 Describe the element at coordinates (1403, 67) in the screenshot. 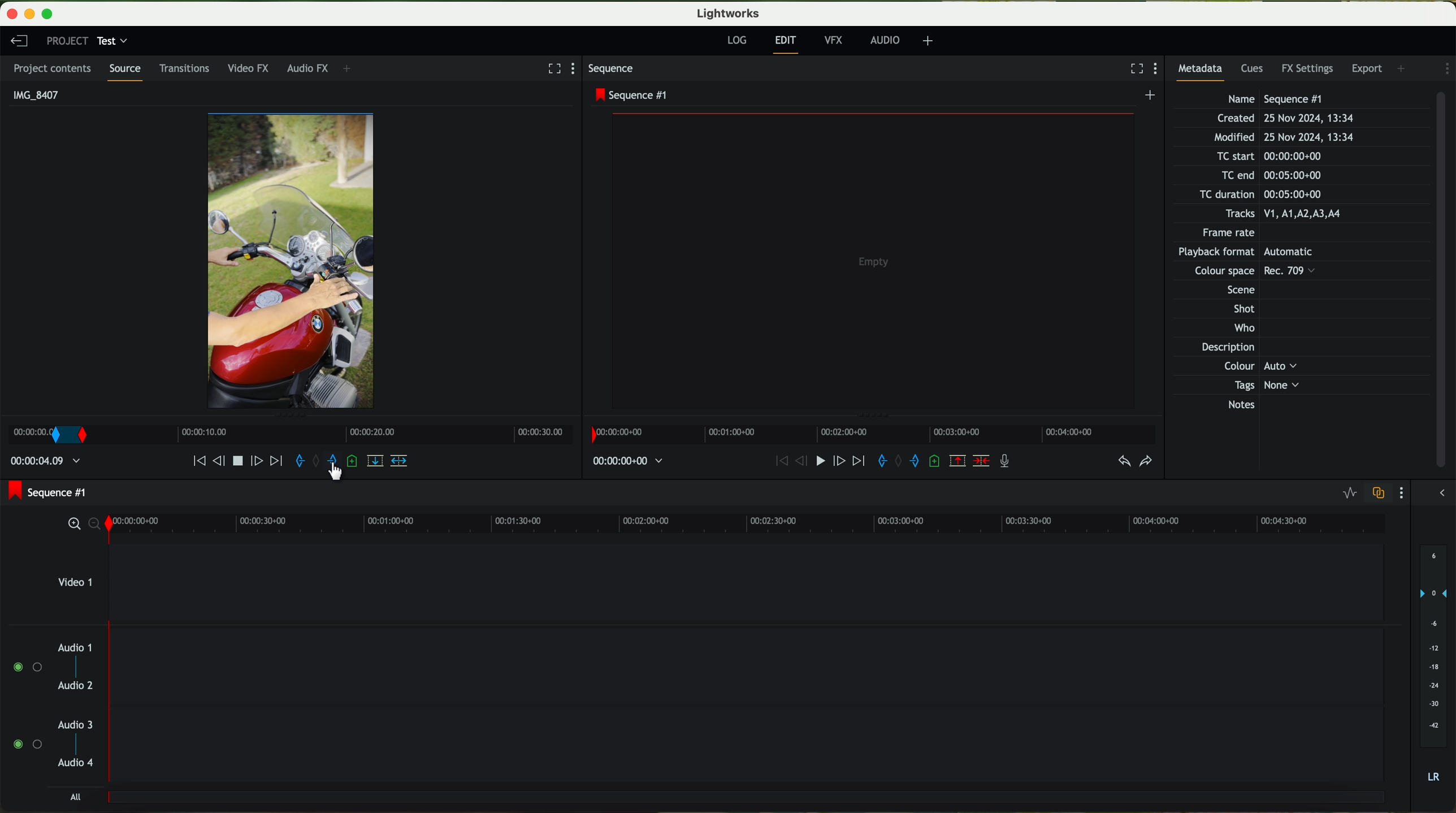

I see `add panel` at that location.